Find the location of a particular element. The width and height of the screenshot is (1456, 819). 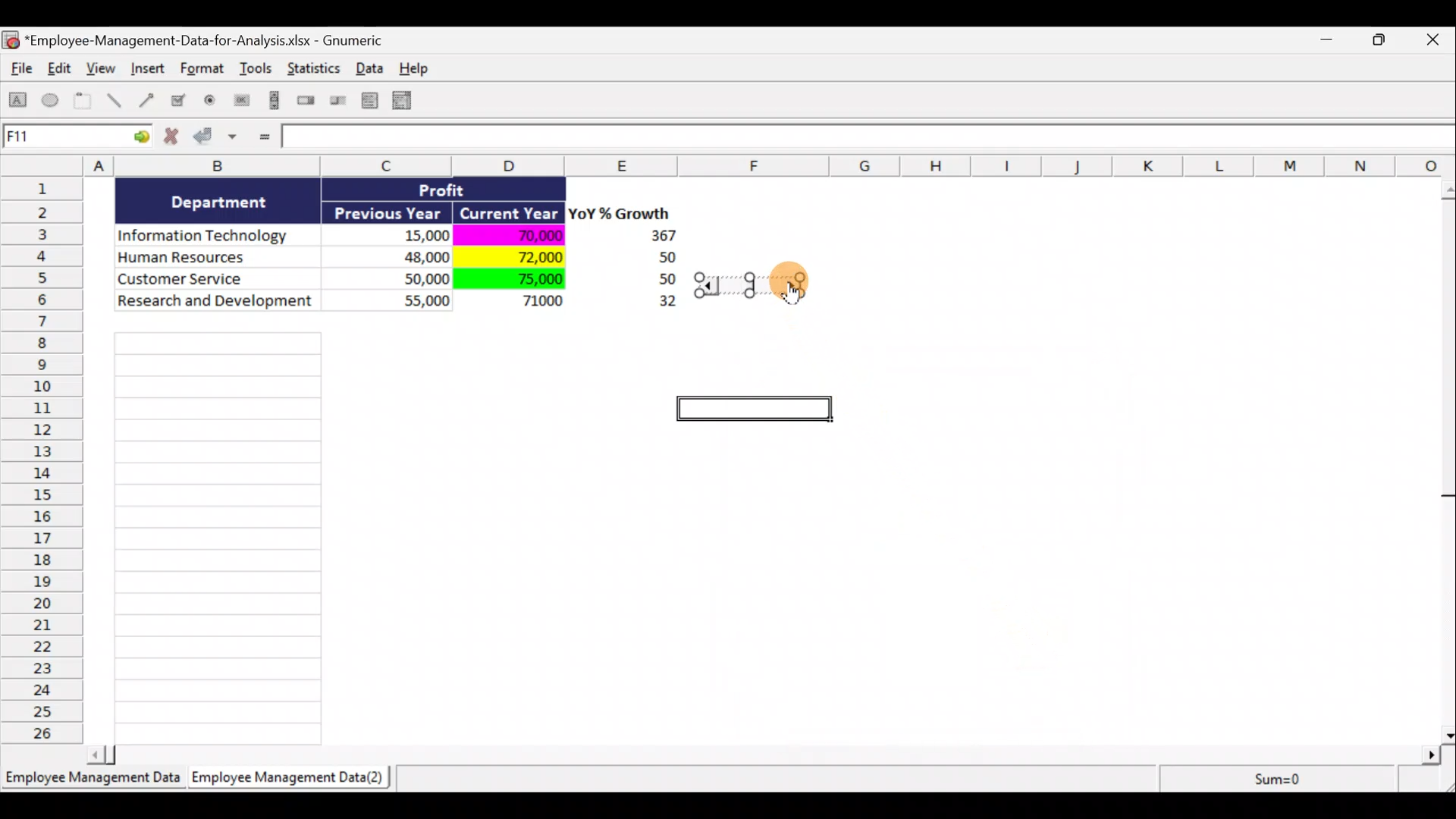

Create a rectangle object is located at coordinates (18, 102).